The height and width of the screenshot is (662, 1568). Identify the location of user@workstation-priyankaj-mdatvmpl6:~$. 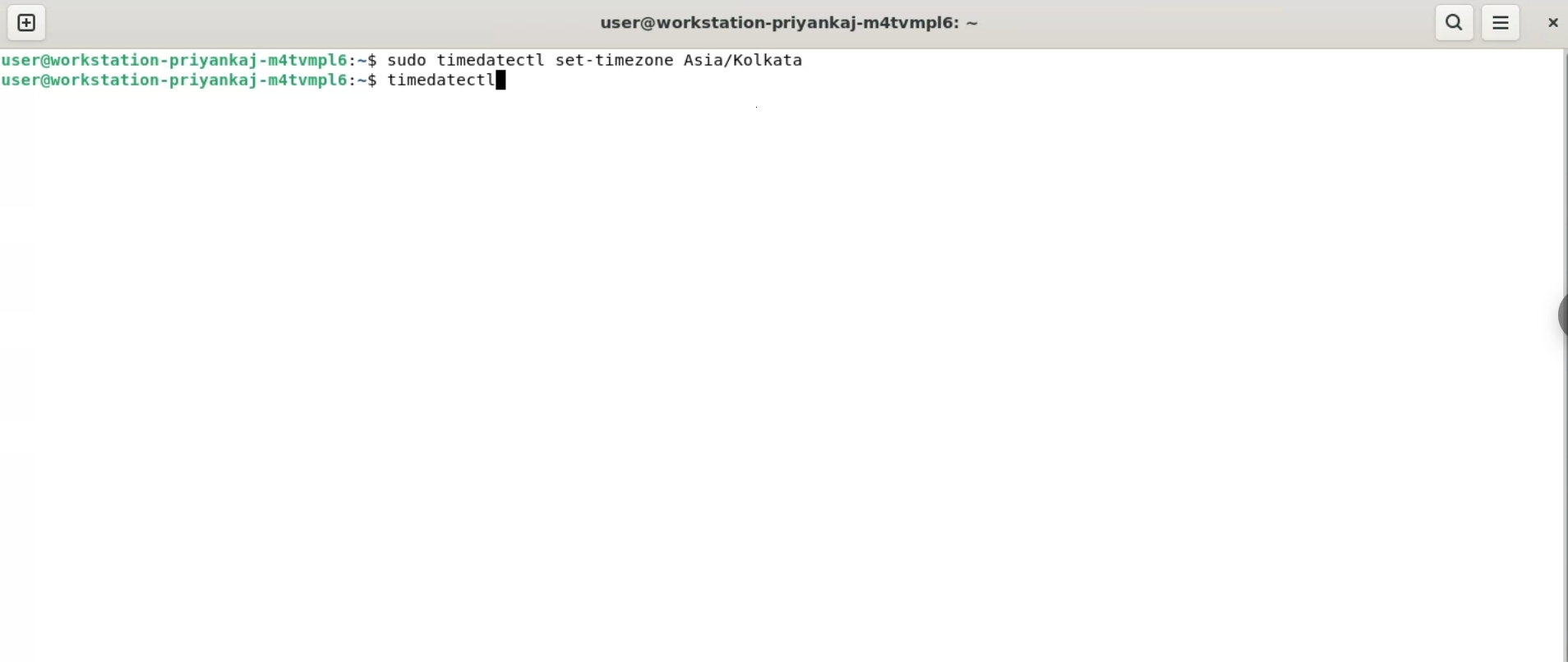
(195, 80).